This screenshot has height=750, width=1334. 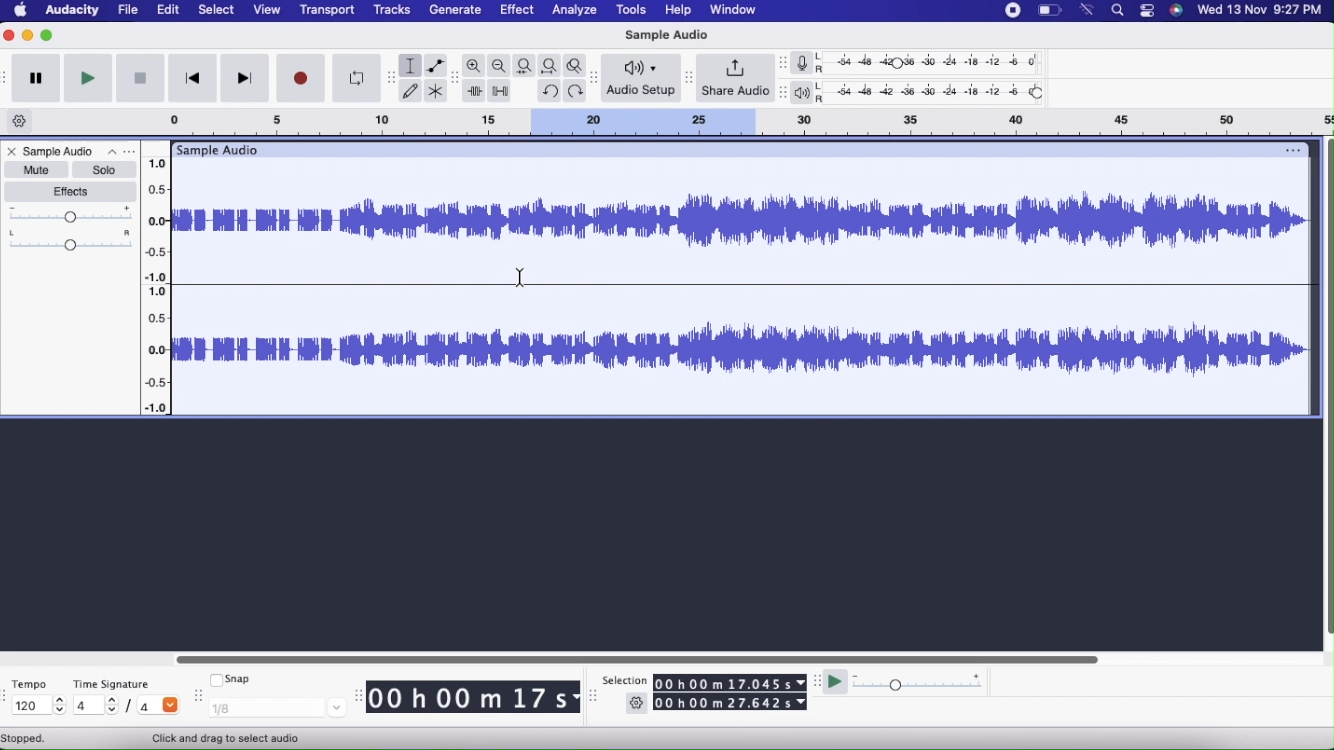 What do you see at coordinates (1326, 394) in the screenshot?
I see `vertical scrollbar` at bounding box center [1326, 394].